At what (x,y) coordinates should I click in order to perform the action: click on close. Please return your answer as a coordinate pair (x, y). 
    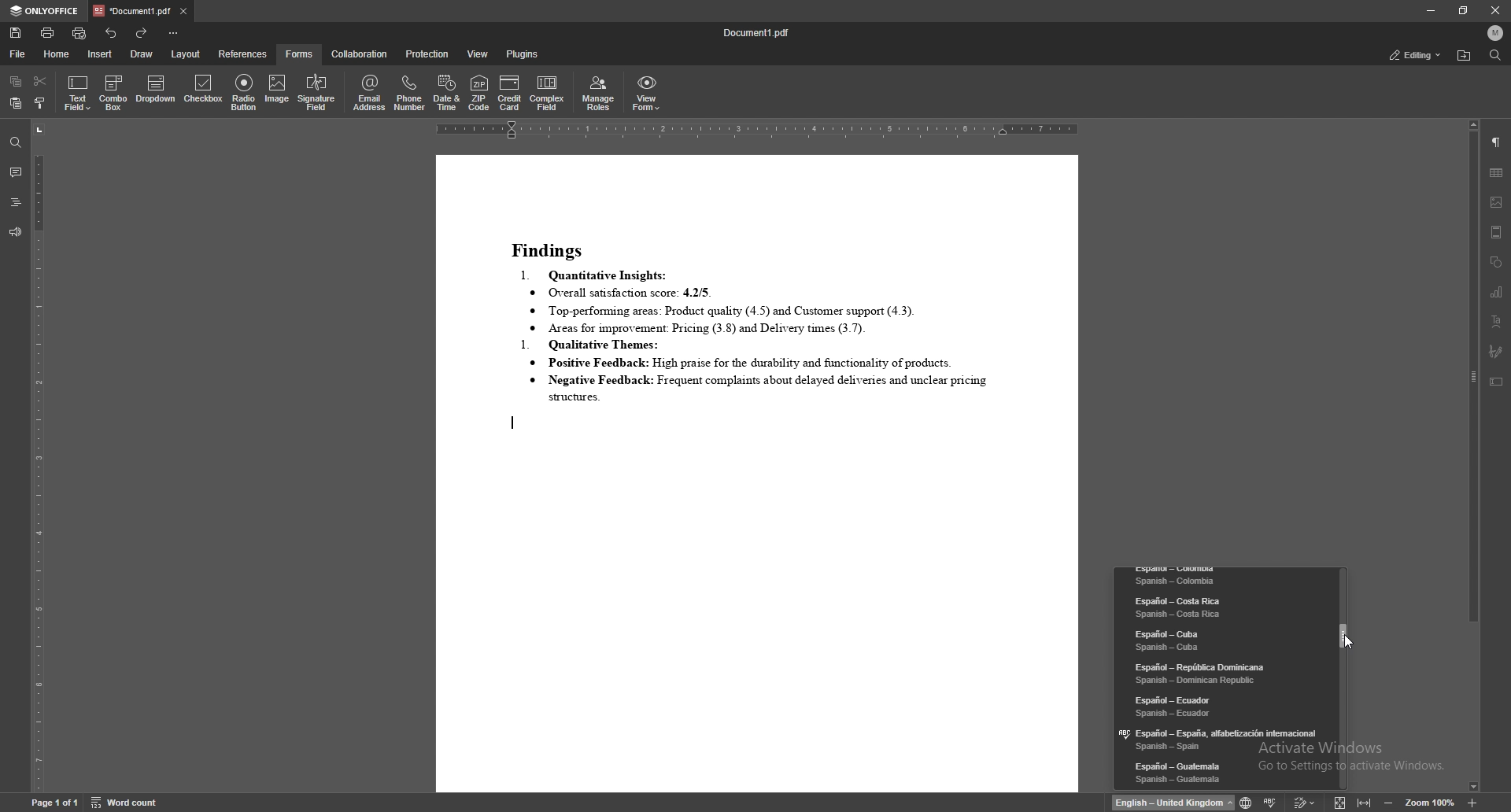
    Looking at the image, I should click on (1493, 10).